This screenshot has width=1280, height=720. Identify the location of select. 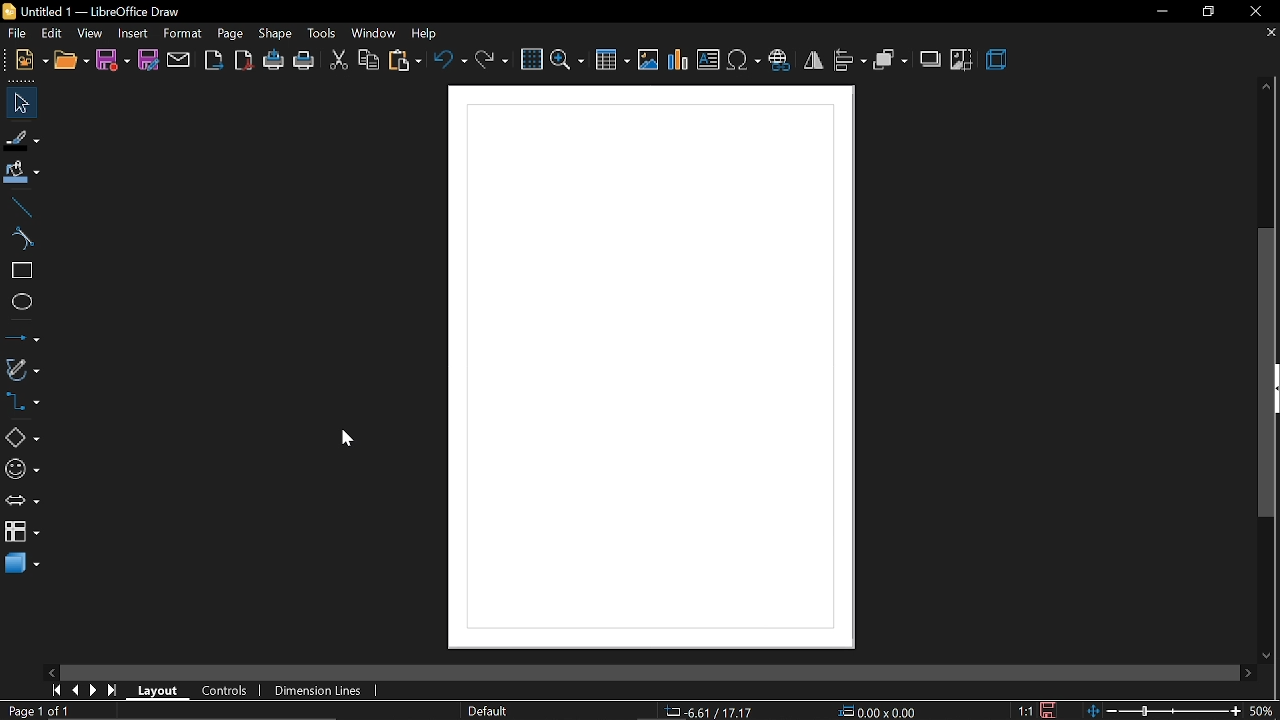
(18, 103).